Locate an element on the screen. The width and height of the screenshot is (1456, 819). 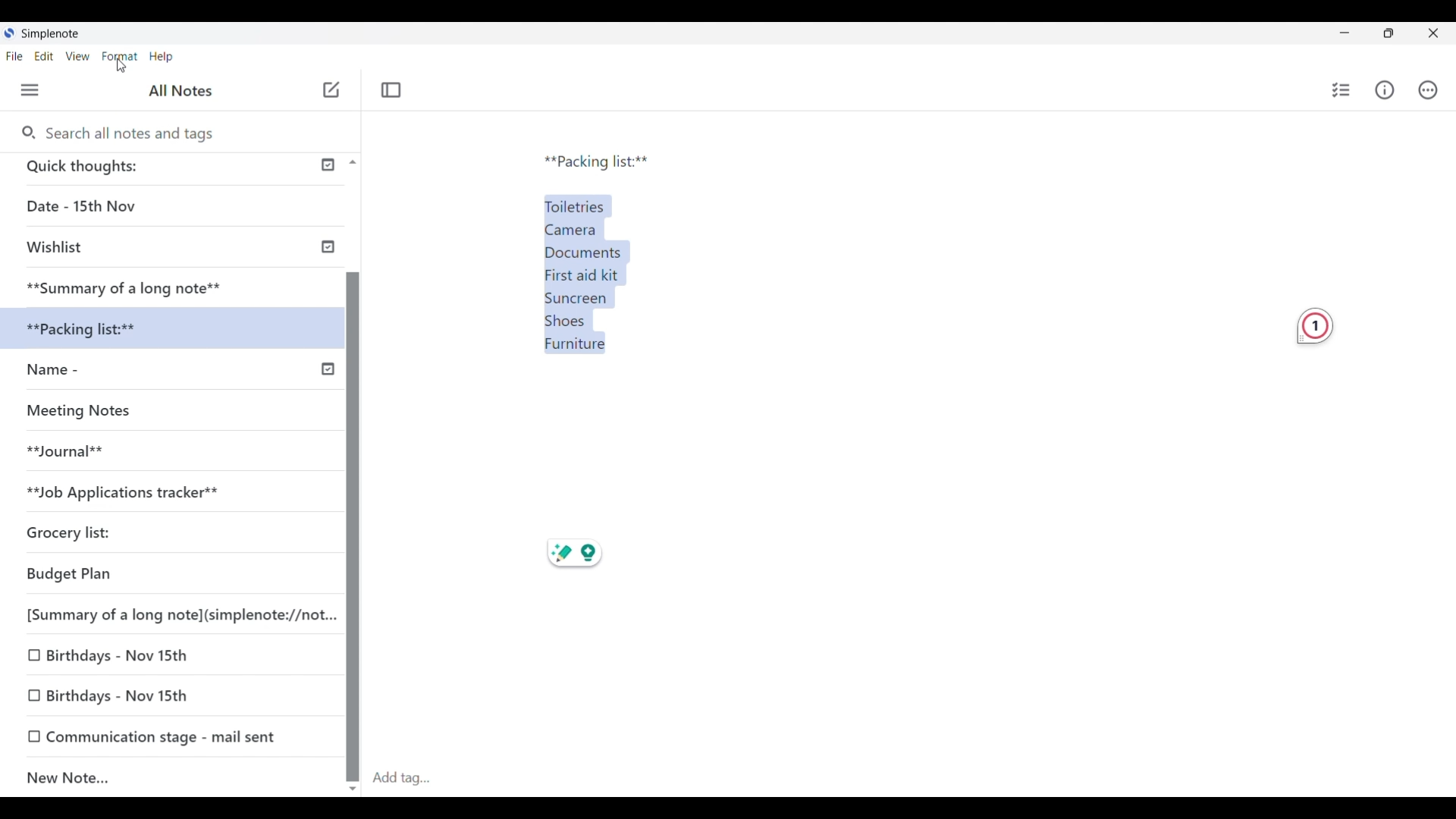
Missing Notes is located at coordinates (91, 414).